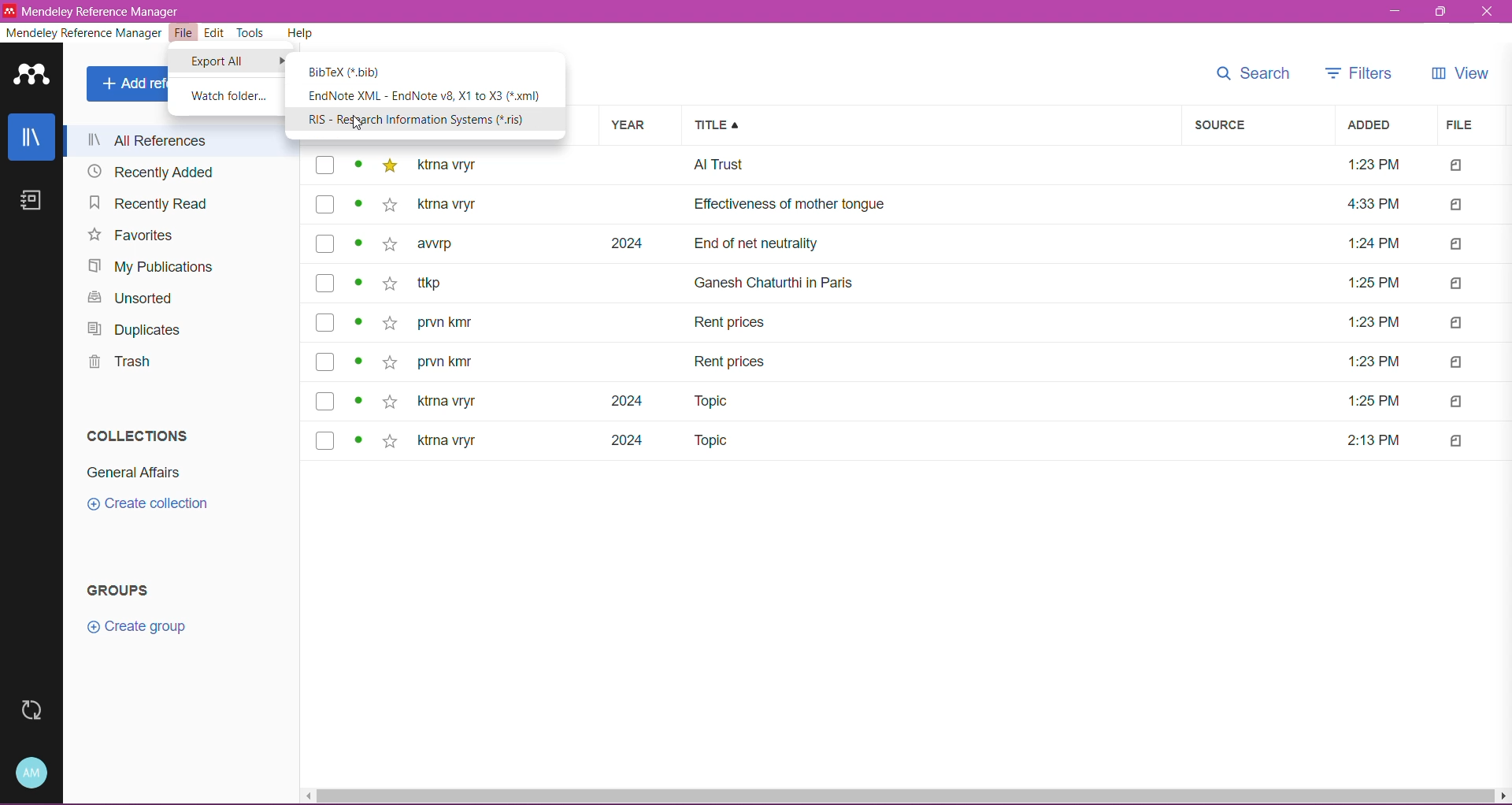  I want to click on Recently Read, so click(145, 202).